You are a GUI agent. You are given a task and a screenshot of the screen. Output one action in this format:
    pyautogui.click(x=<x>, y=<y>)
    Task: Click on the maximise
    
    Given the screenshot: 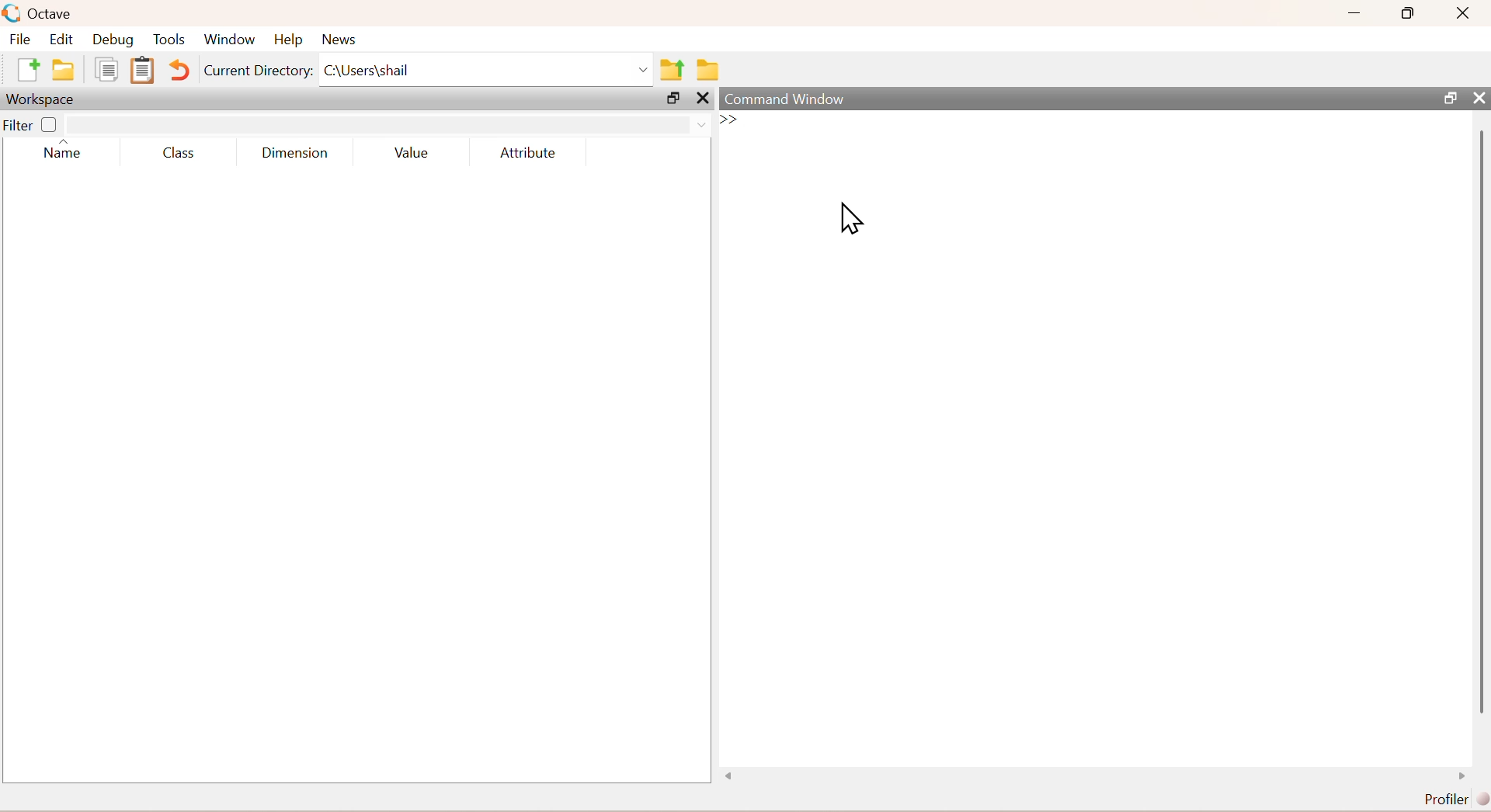 What is the action you would take?
    pyautogui.click(x=1409, y=12)
    